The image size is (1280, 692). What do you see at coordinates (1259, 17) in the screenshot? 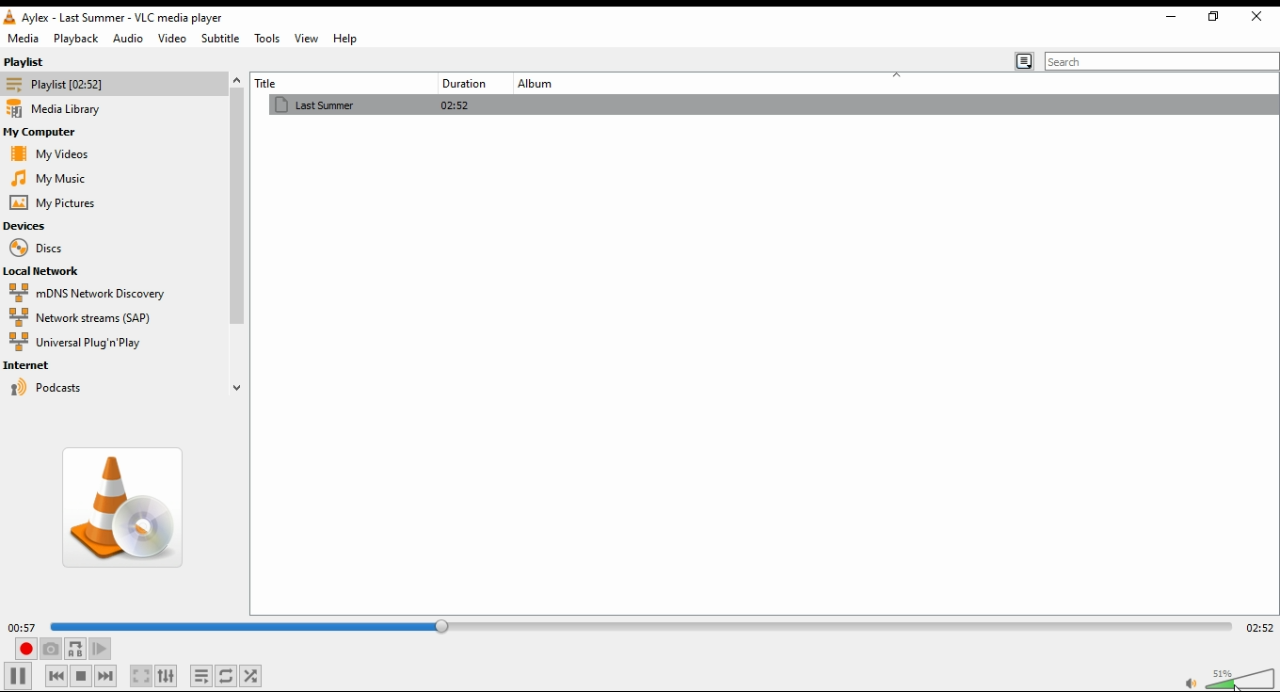
I see `close window` at bounding box center [1259, 17].